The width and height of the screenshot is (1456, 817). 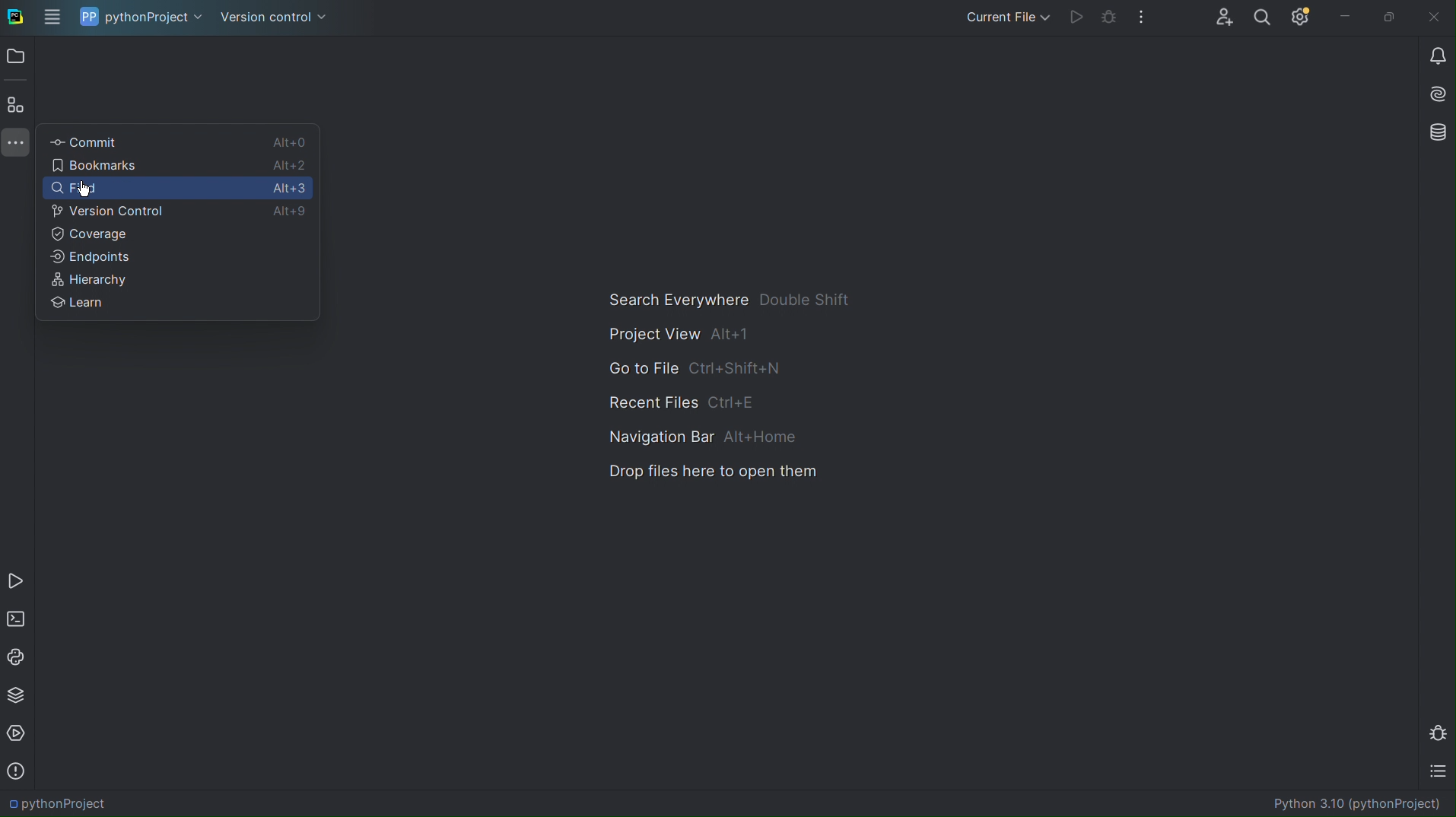 What do you see at coordinates (19, 769) in the screenshot?
I see `Problems` at bounding box center [19, 769].